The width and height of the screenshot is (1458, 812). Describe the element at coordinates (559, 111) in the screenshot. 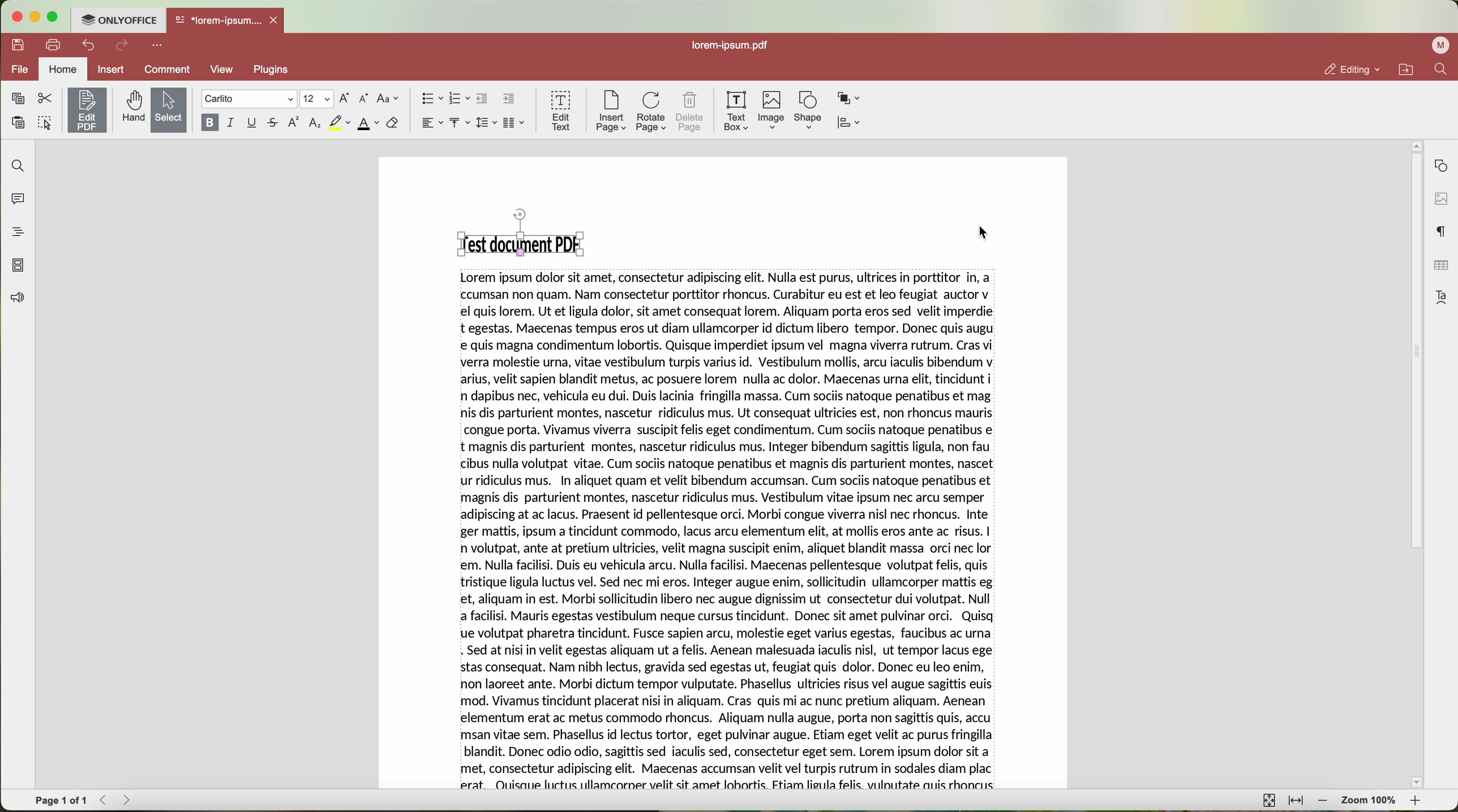

I see `edit text` at that location.